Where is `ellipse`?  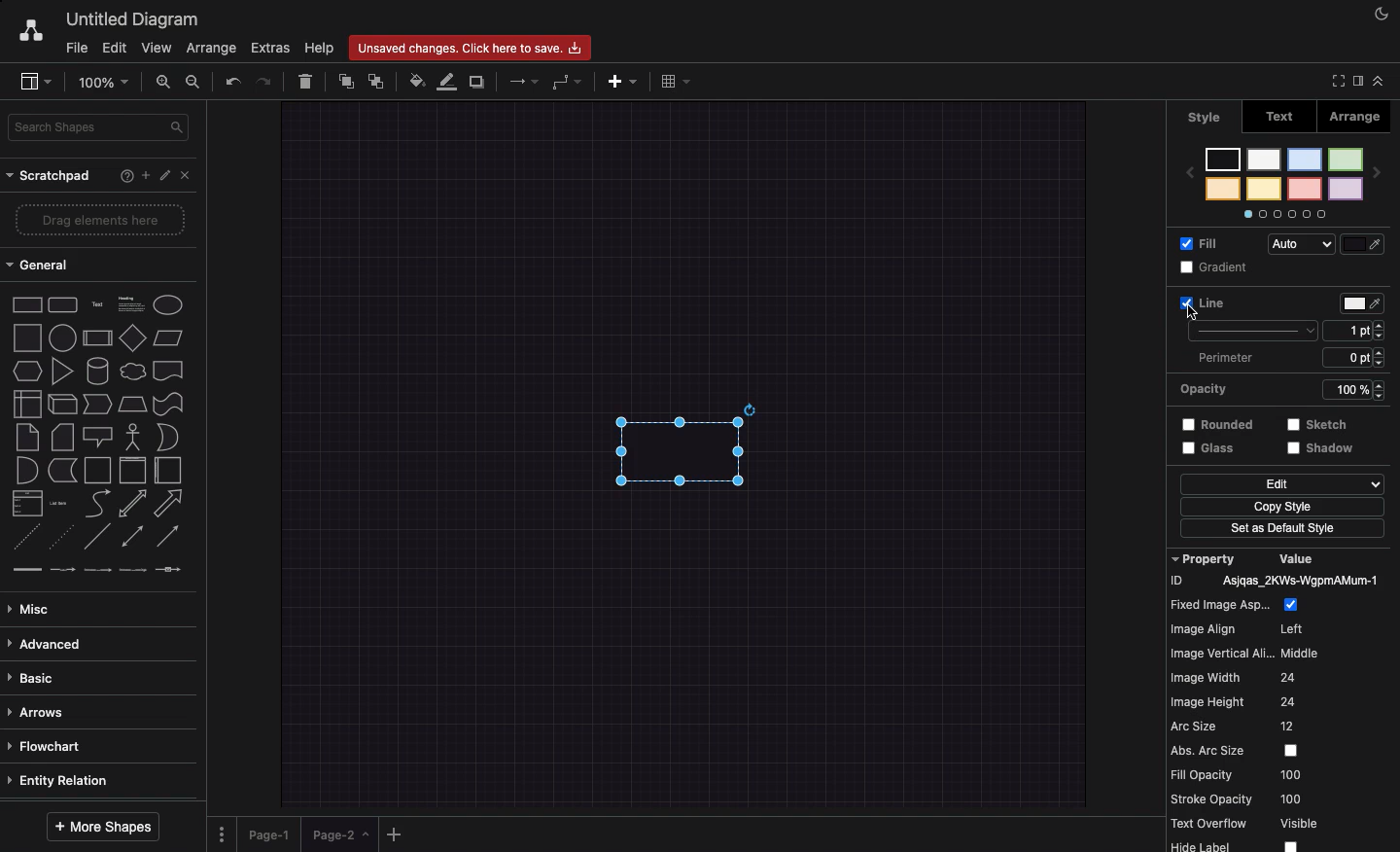
ellipse is located at coordinates (168, 302).